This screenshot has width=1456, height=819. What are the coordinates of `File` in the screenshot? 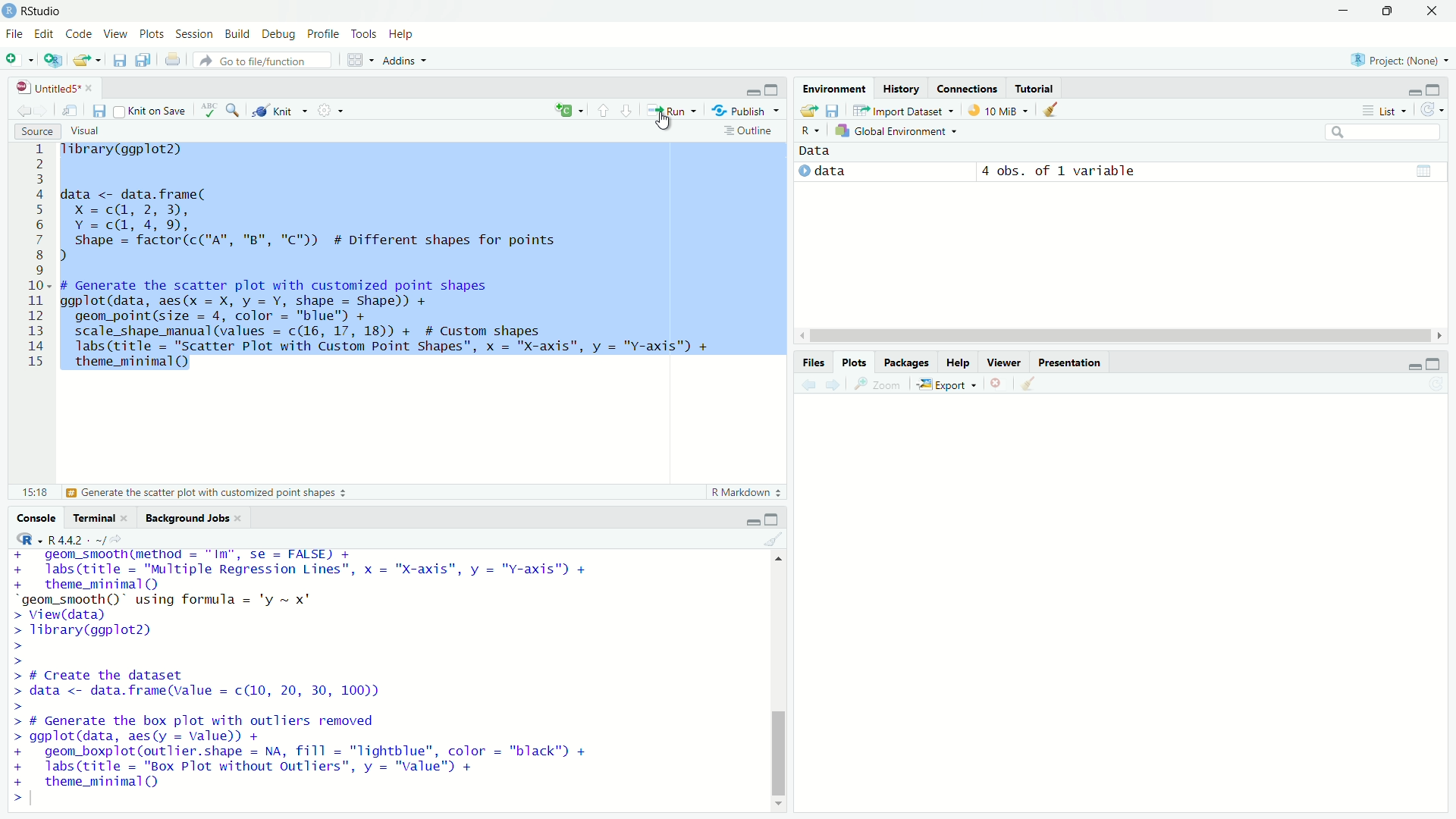 It's located at (14, 33).